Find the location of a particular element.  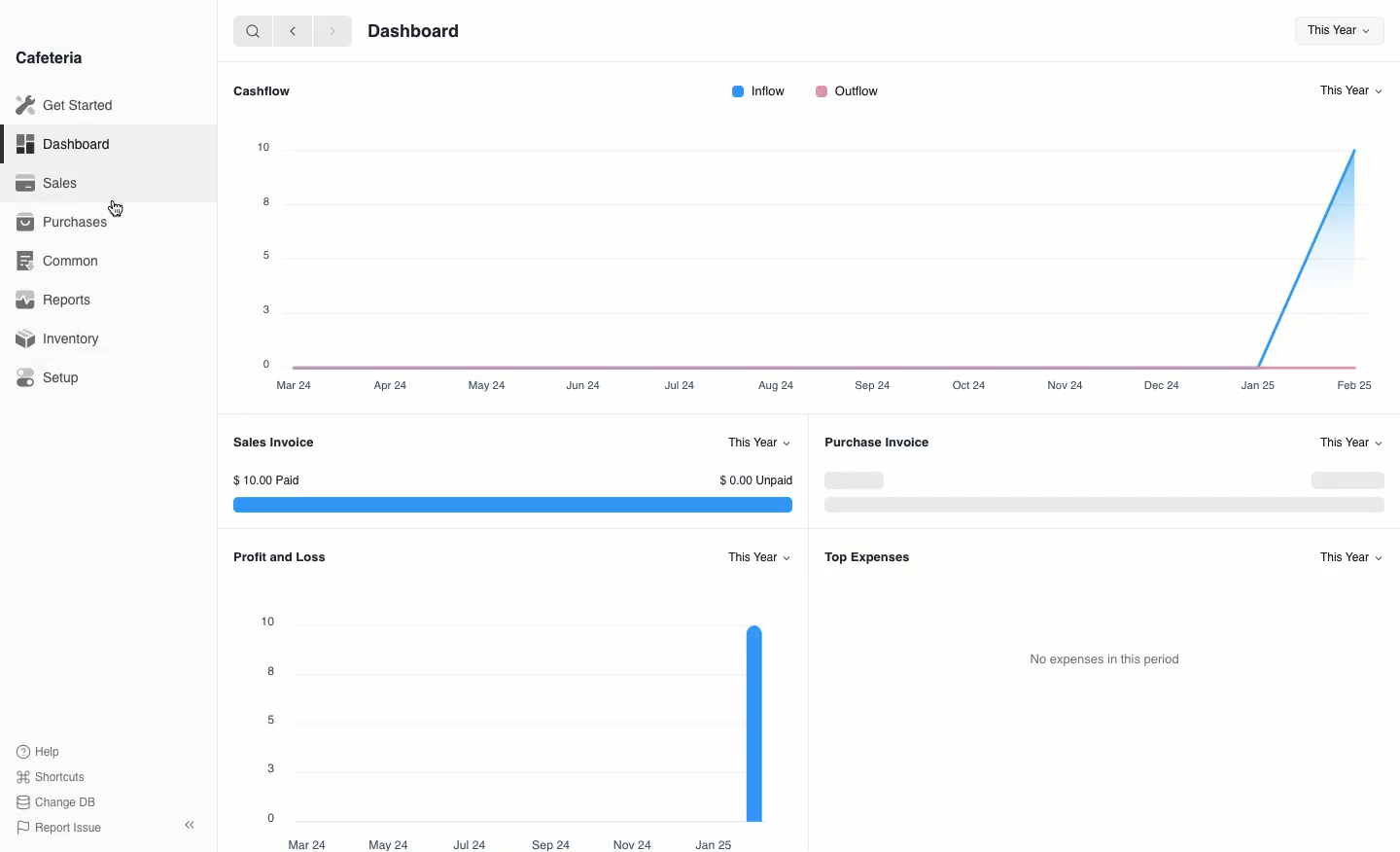

3 is located at coordinates (265, 309).